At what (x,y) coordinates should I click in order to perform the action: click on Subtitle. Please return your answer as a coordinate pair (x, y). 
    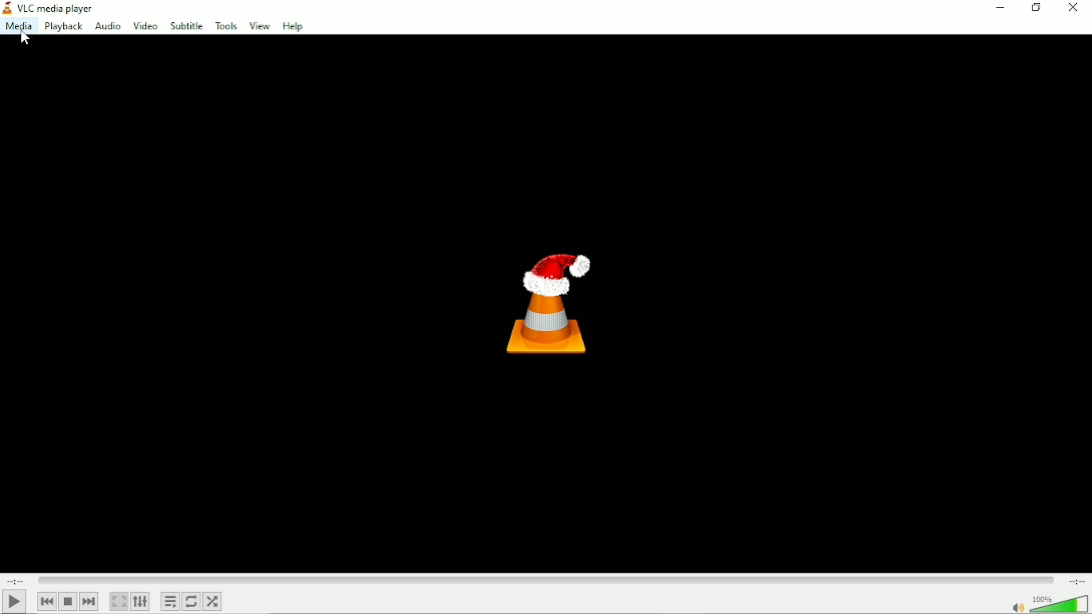
    Looking at the image, I should click on (187, 25).